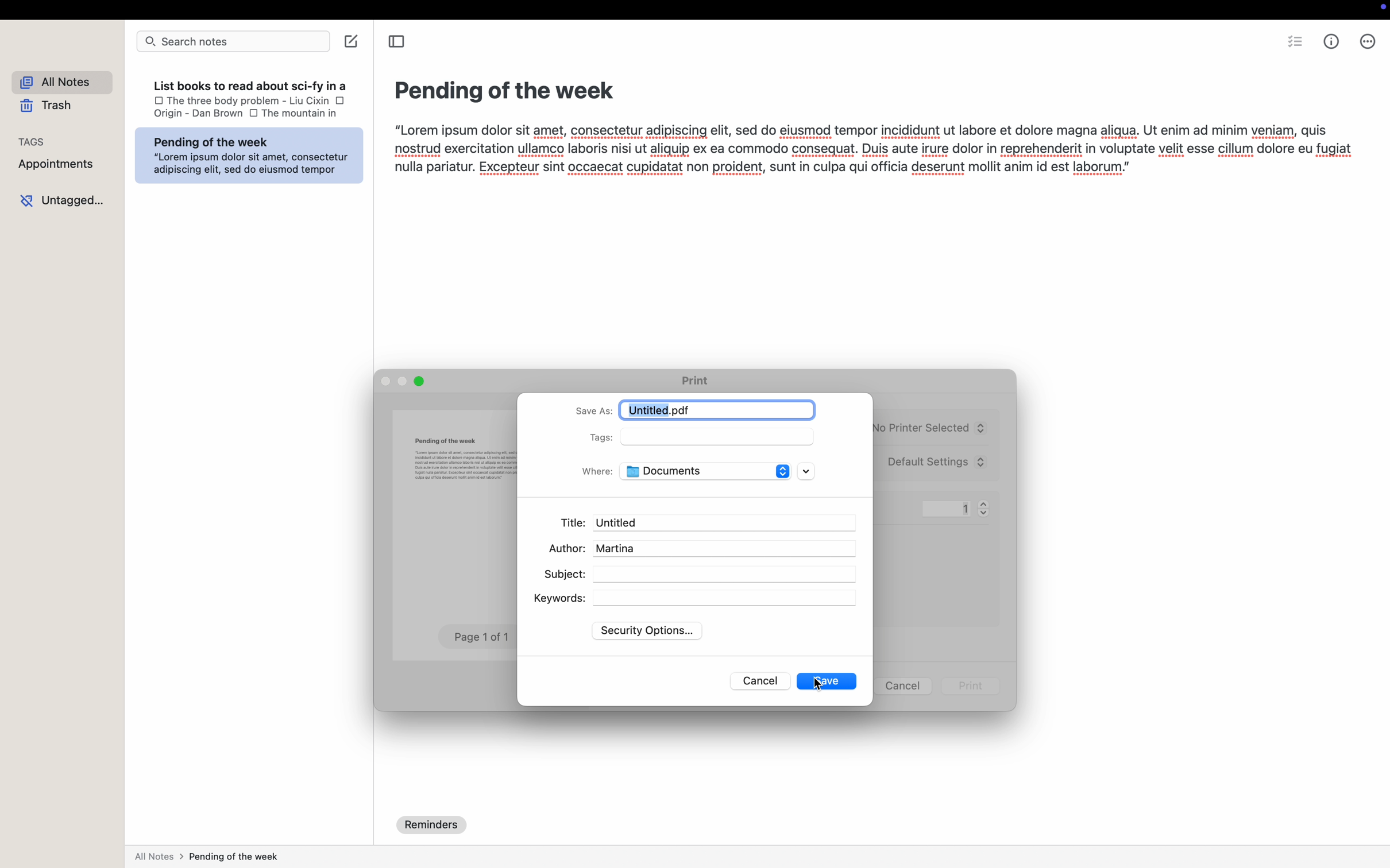 Image resolution: width=1390 pixels, height=868 pixels. What do you see at coordinates (570, 524) in the screenshot?
I see `title` at bounding box center [570, 524].